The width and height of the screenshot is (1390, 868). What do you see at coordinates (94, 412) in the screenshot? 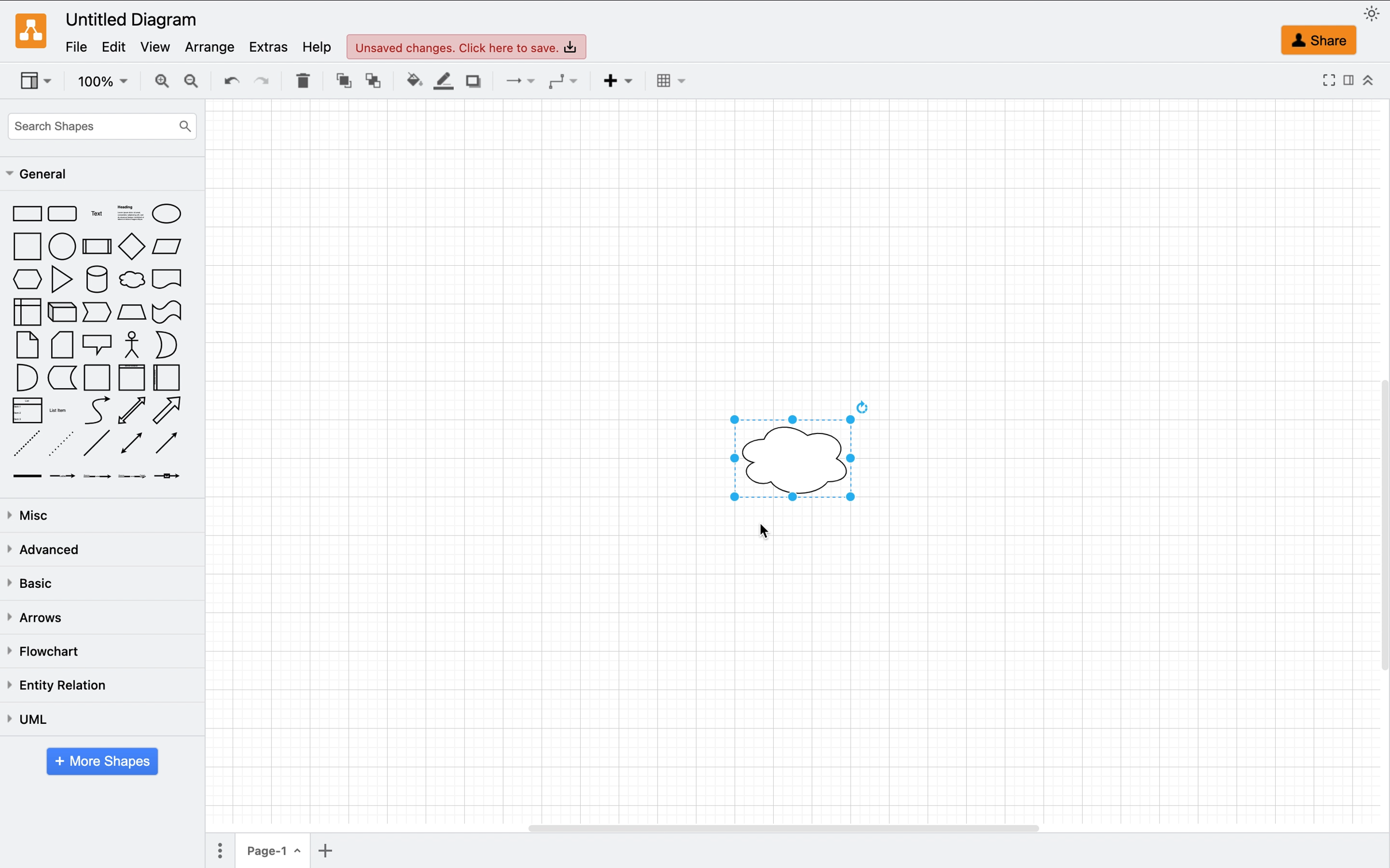
I see `curve` at bounding box center [94, 412].